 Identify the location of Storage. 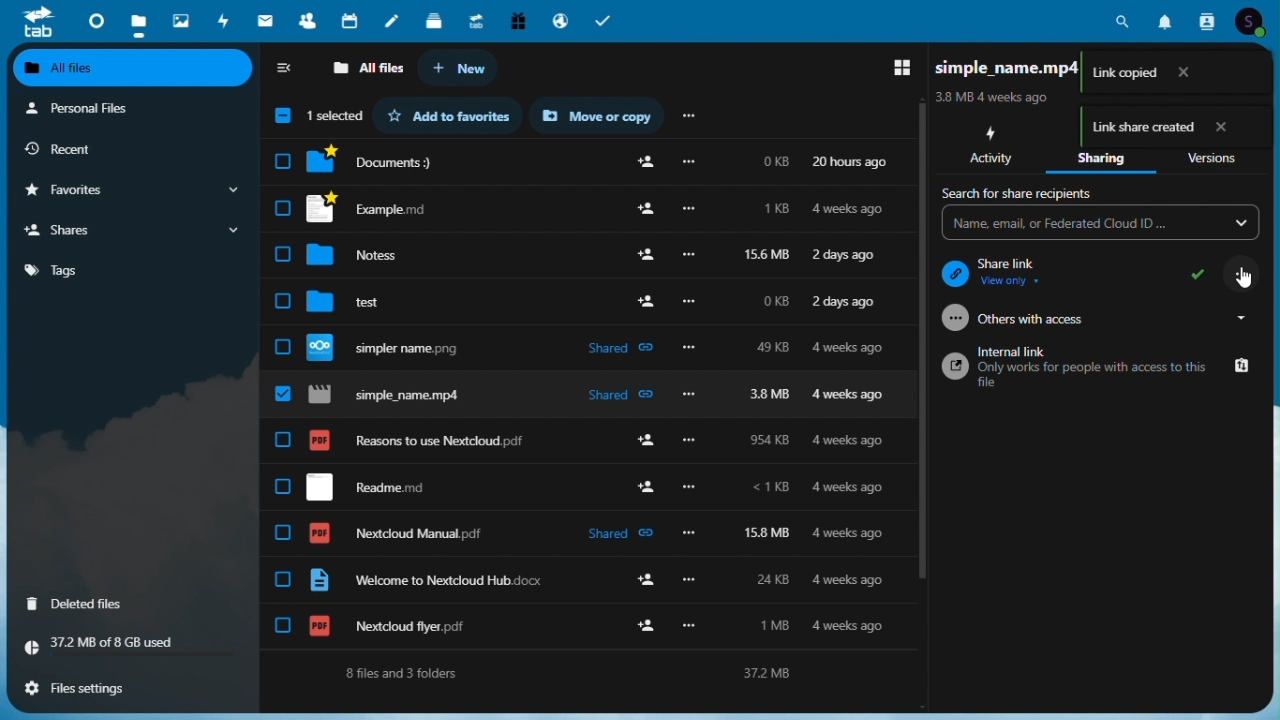
(135, 646).